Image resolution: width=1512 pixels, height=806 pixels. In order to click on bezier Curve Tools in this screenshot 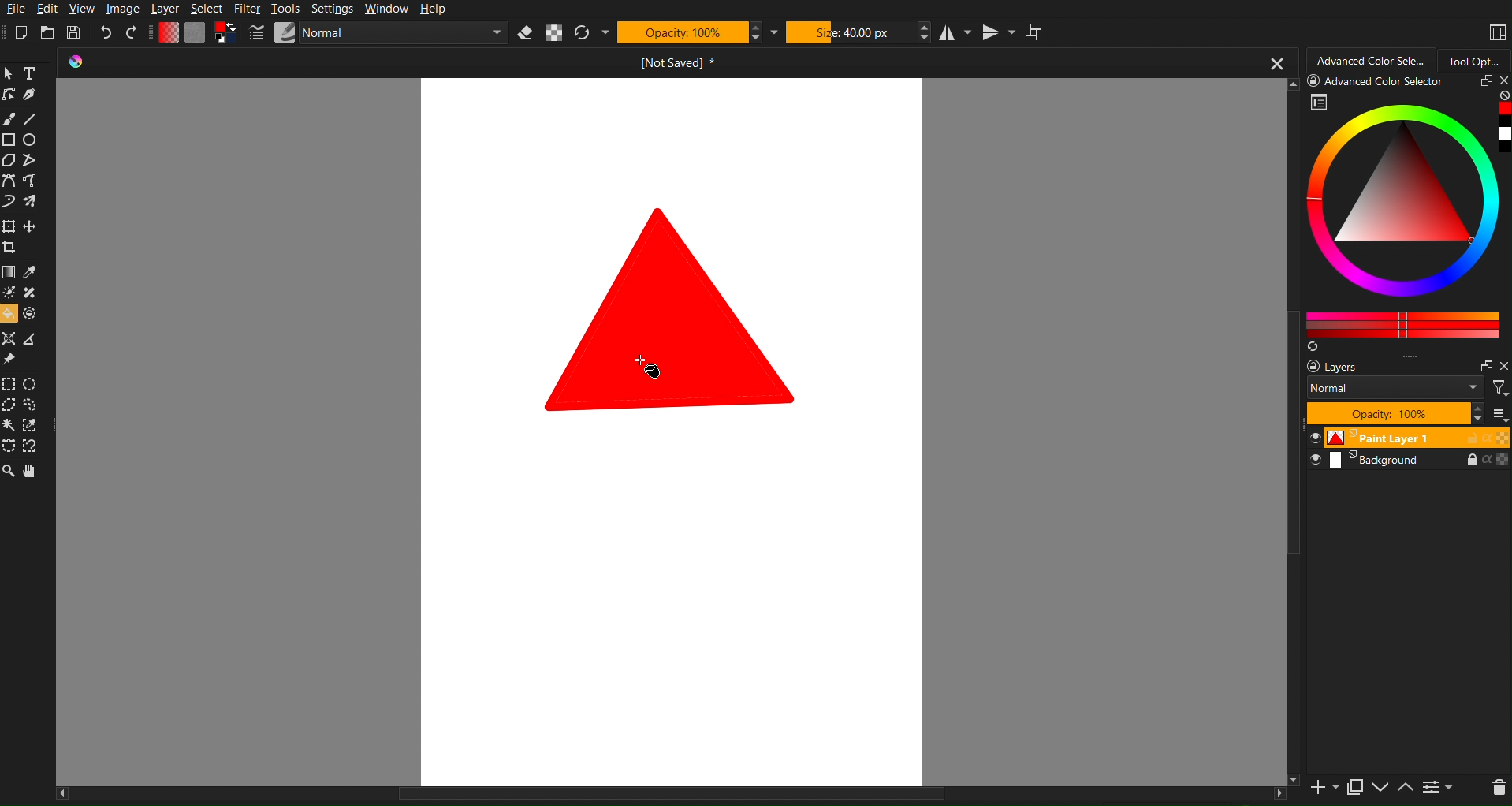, I will do `click(9, 181)`.